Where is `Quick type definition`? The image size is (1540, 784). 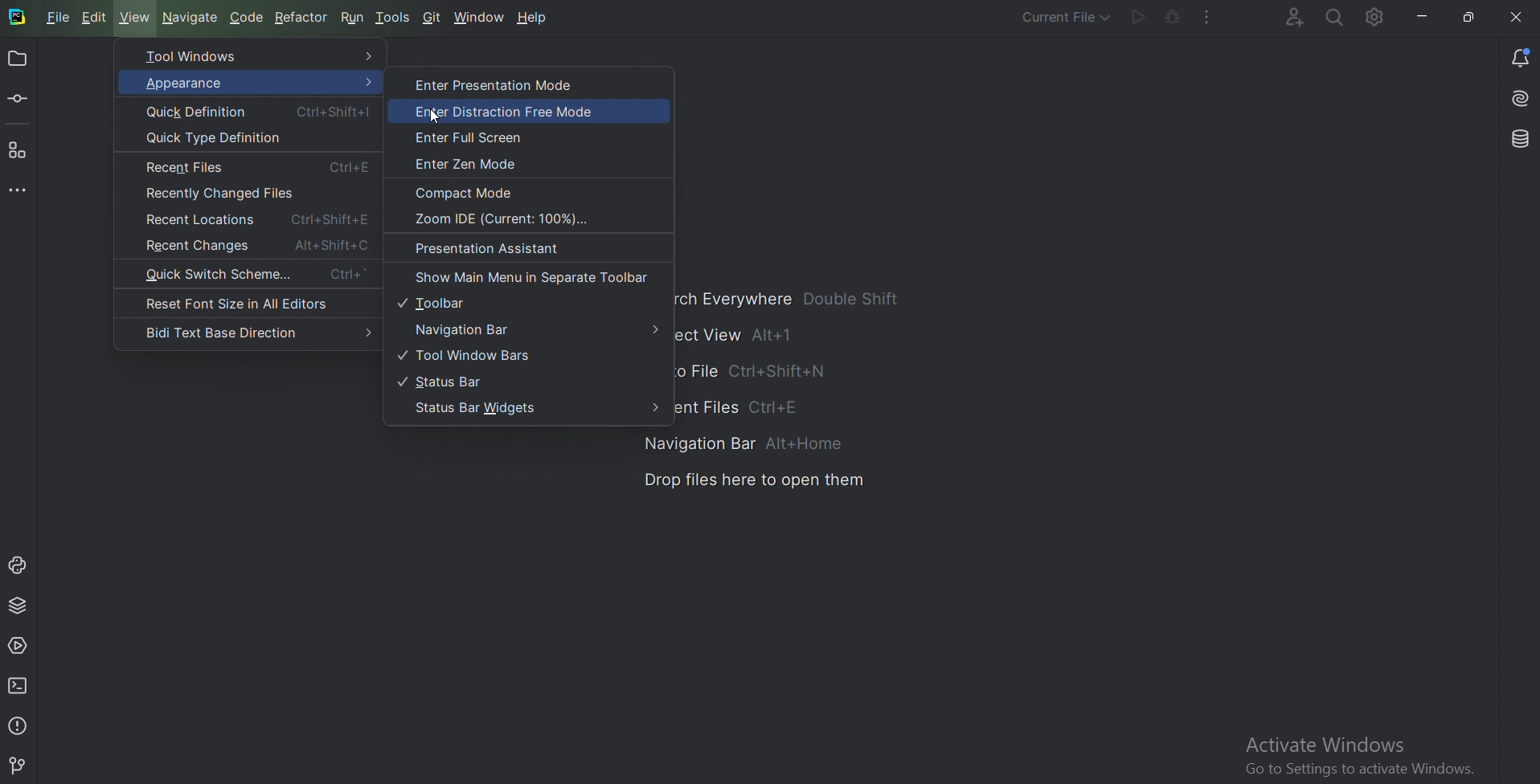 Quick type definition is located at coordinates (215, 137).